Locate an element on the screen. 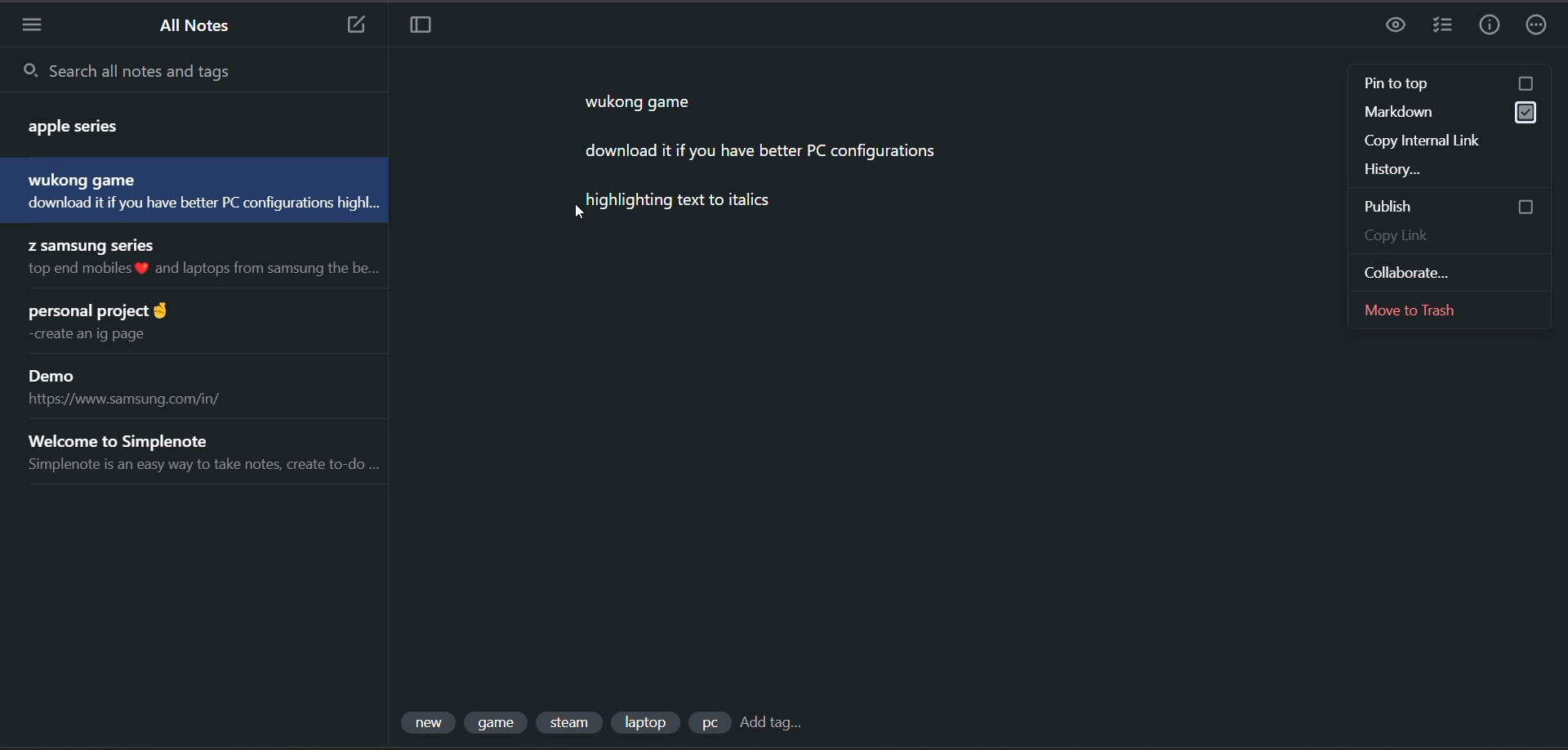 Image resolution: width=1568 pixels, height=750 pixels. add tag is located at coordinates (770, 725).